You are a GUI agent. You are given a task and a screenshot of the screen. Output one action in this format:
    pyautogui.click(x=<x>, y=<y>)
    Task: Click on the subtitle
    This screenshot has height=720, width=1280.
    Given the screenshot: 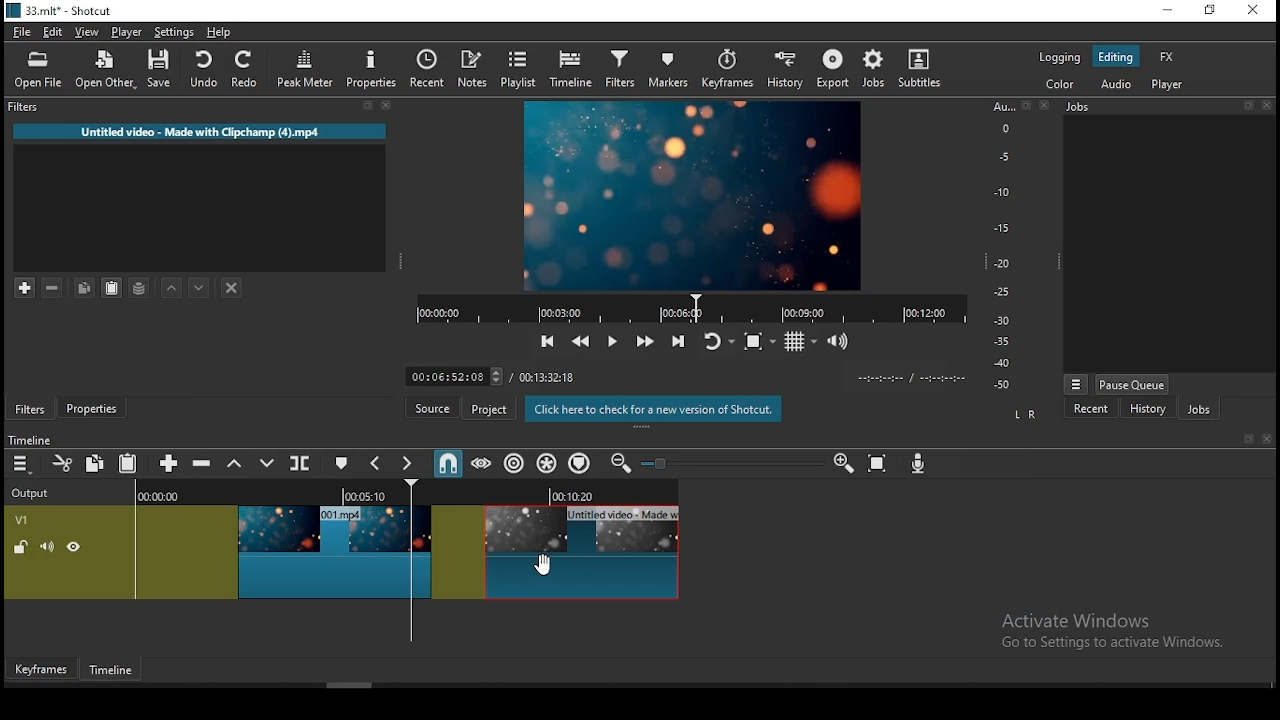 What is the action you would take?
    pyautogui.click(x=919, y=70)
    